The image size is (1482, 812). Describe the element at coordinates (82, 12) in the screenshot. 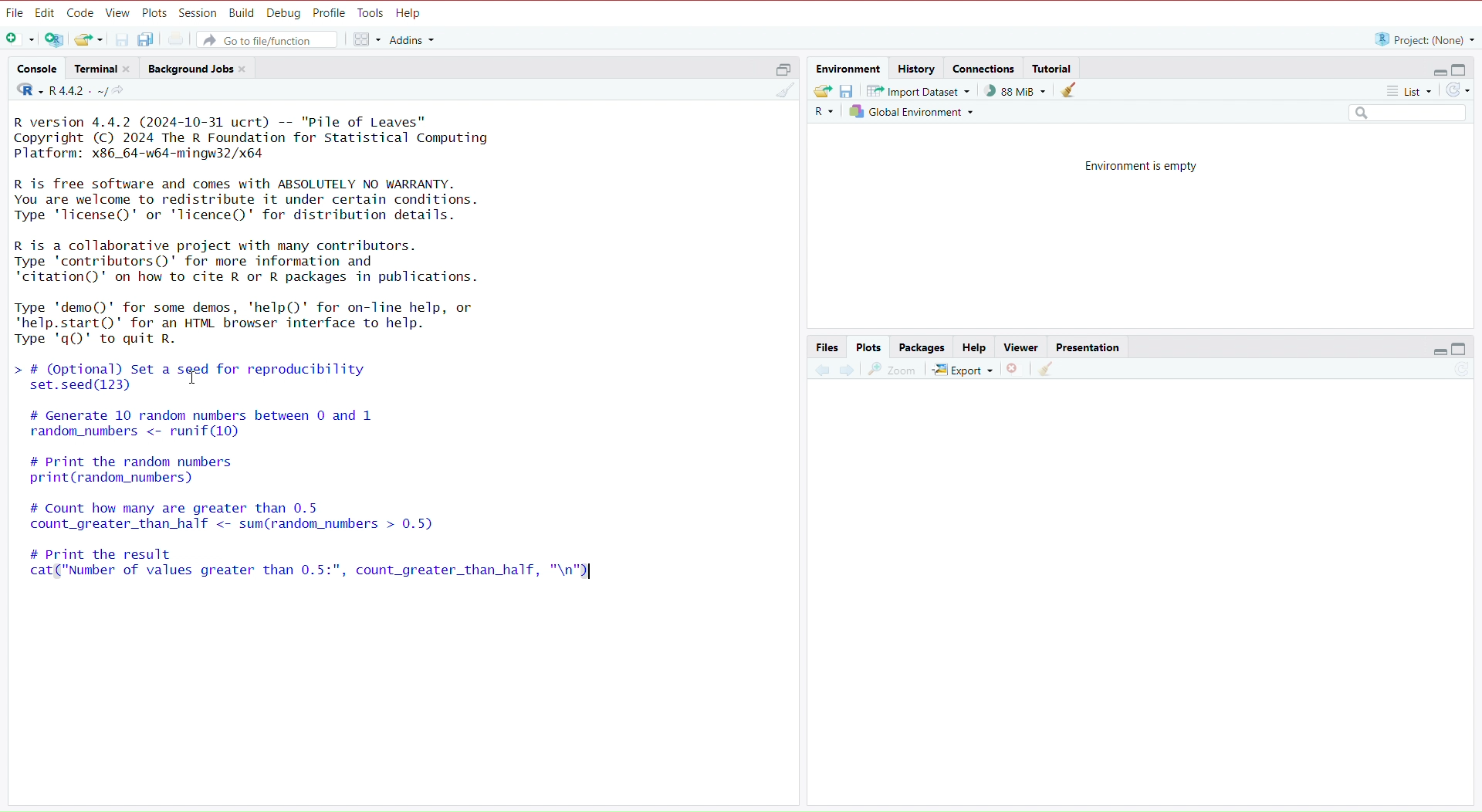

I see `Code` at that location.